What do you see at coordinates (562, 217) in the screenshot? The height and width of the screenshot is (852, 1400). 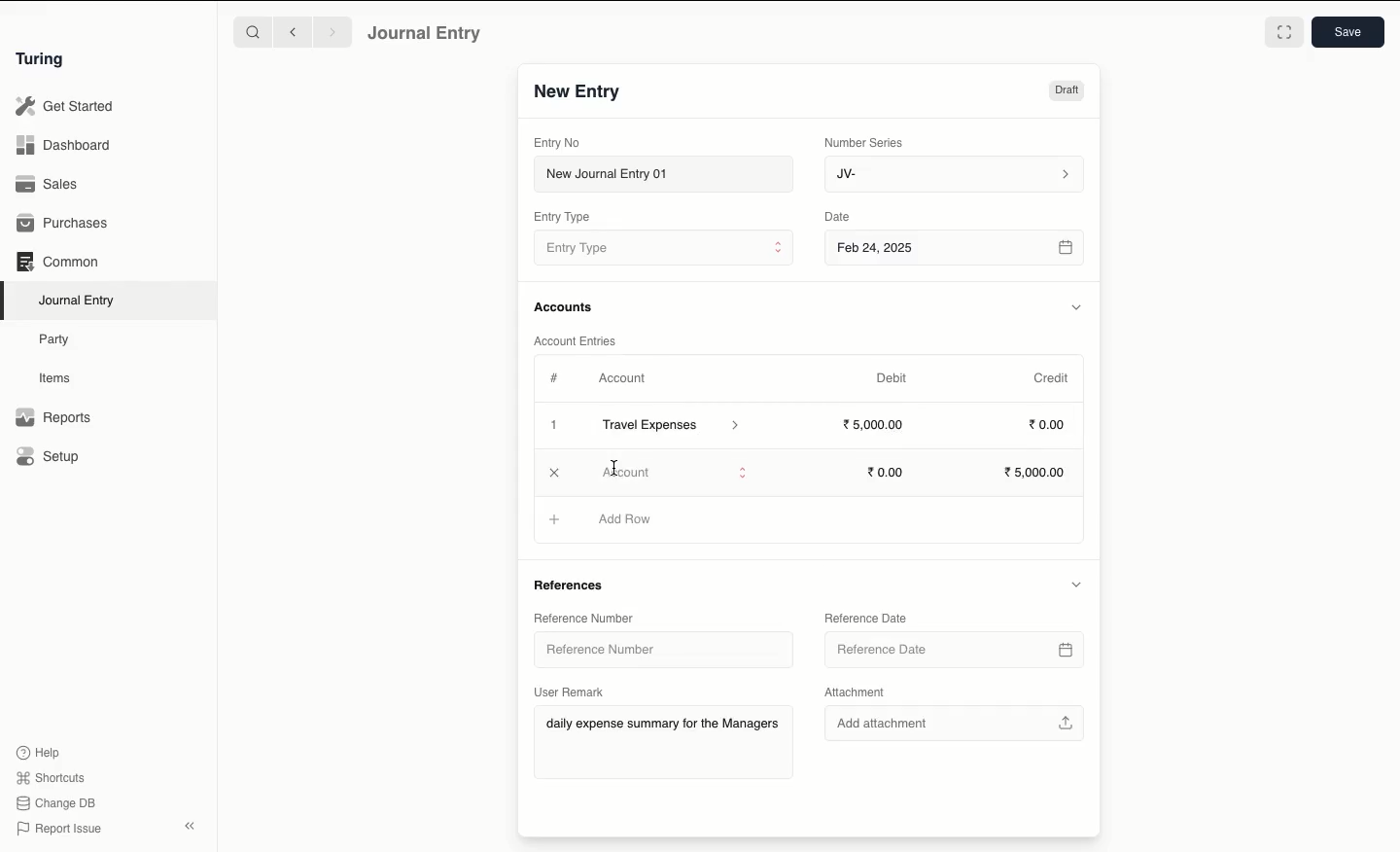 I see `Entry Type` at bounding box center [562, 217].